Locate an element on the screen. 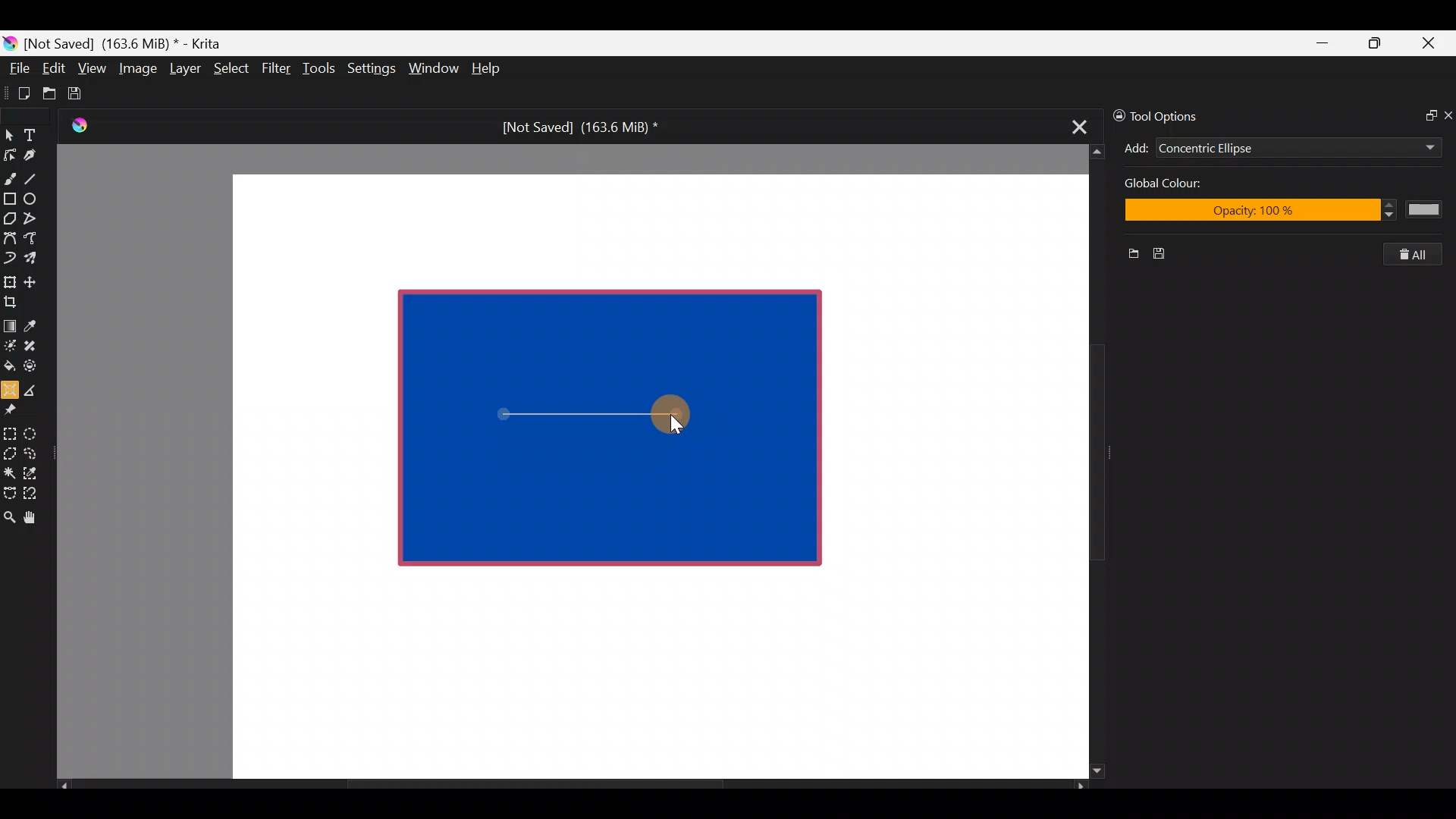 This screenshot has width=1456, height=819. Filter is located at coordinates (277, 67).